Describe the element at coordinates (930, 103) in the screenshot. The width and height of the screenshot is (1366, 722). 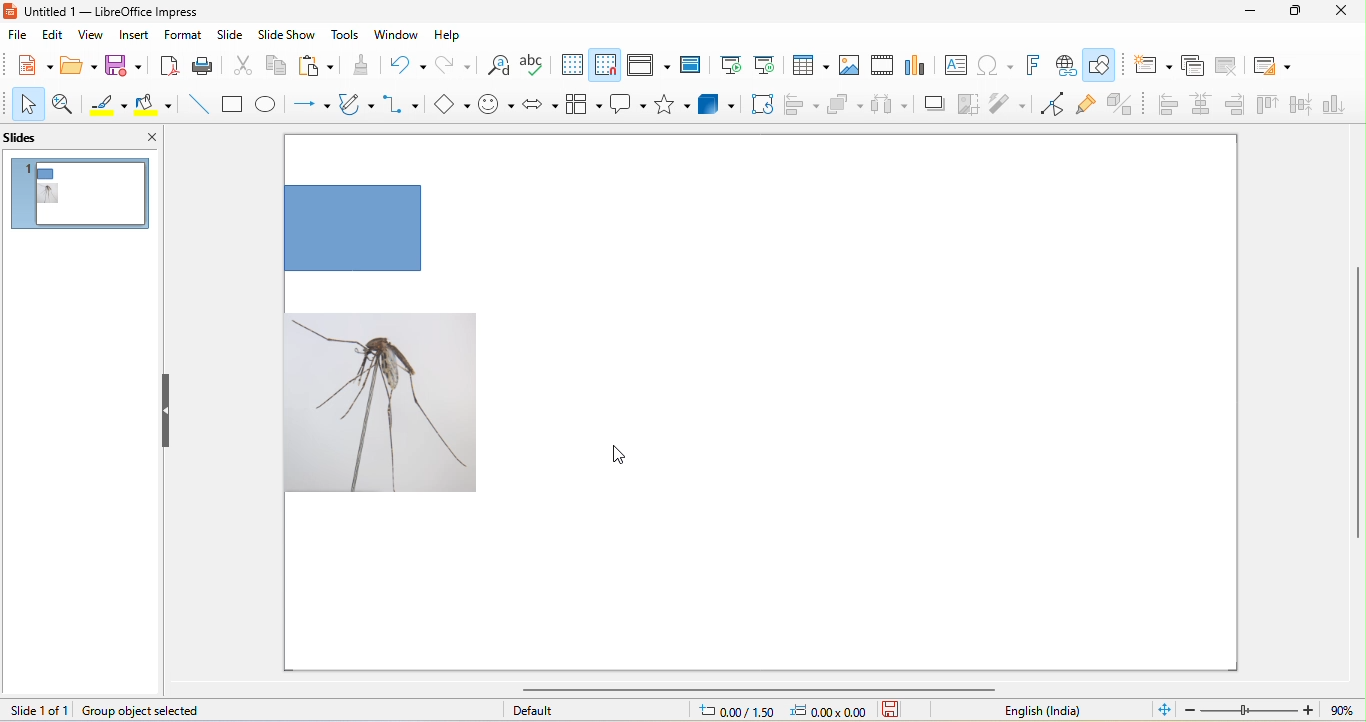
I see `shadow` at that location.